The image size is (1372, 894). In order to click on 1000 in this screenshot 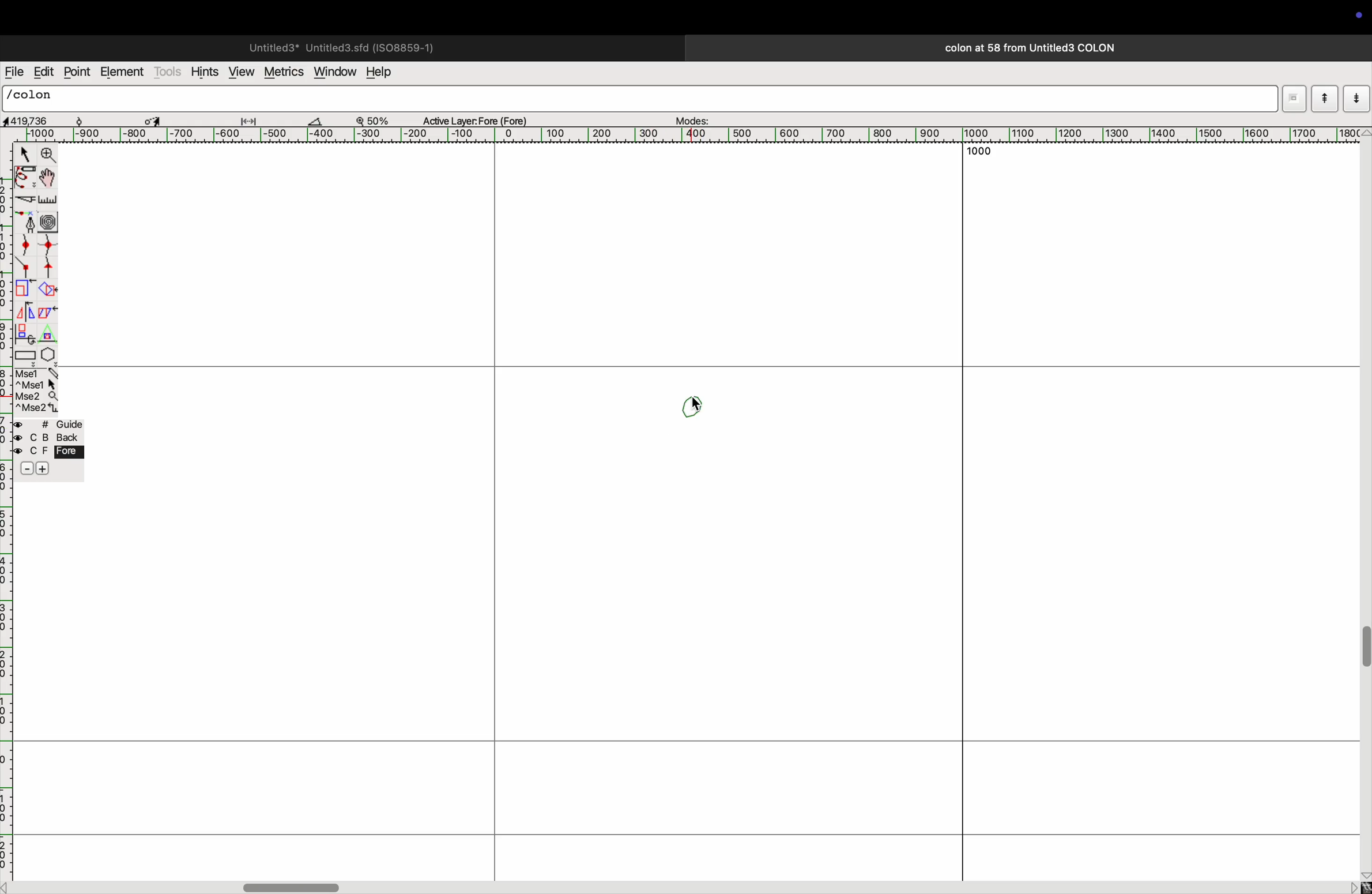, I will do `click(979, 153)`.